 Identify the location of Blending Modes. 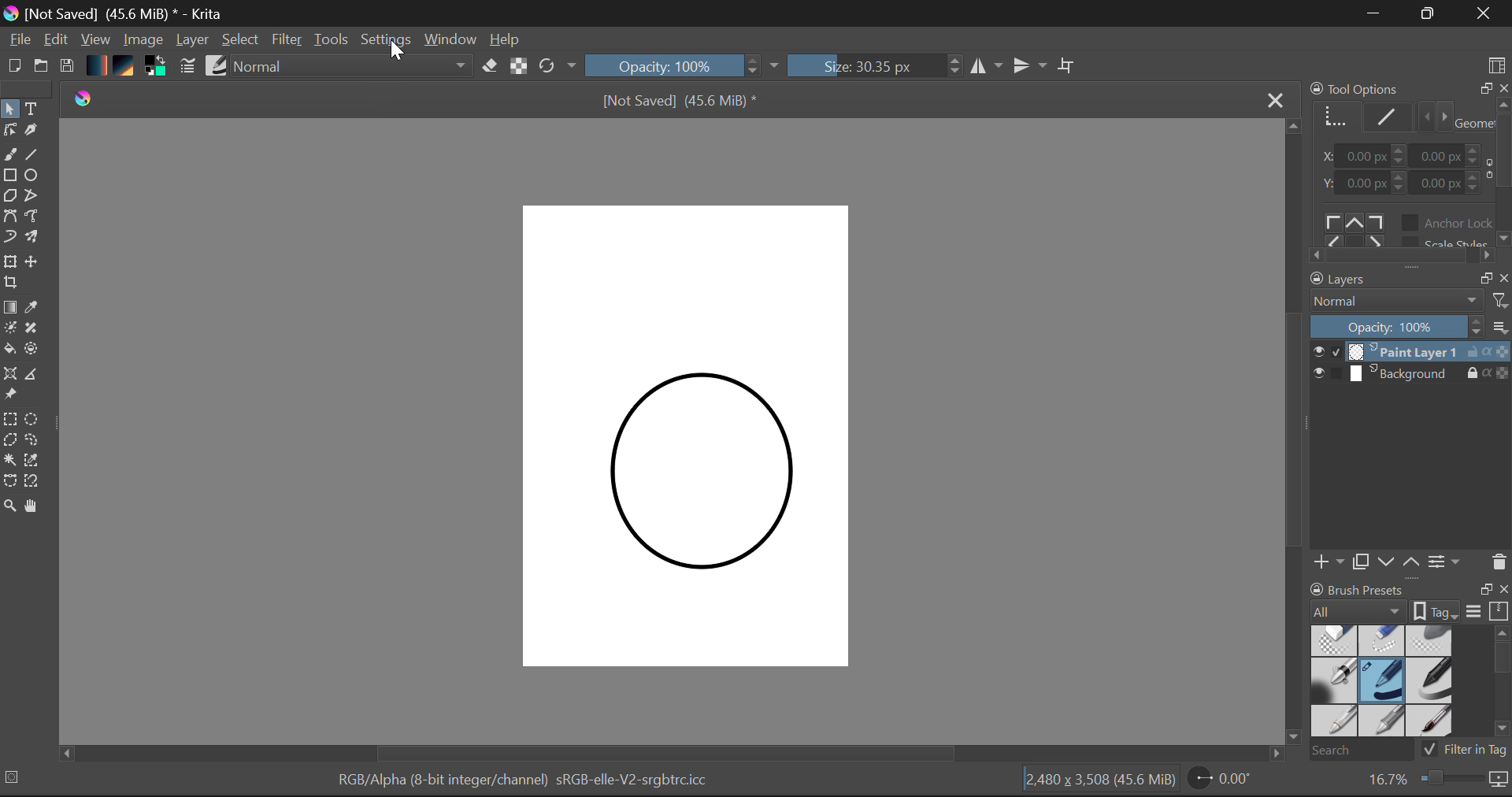
(348, 68).